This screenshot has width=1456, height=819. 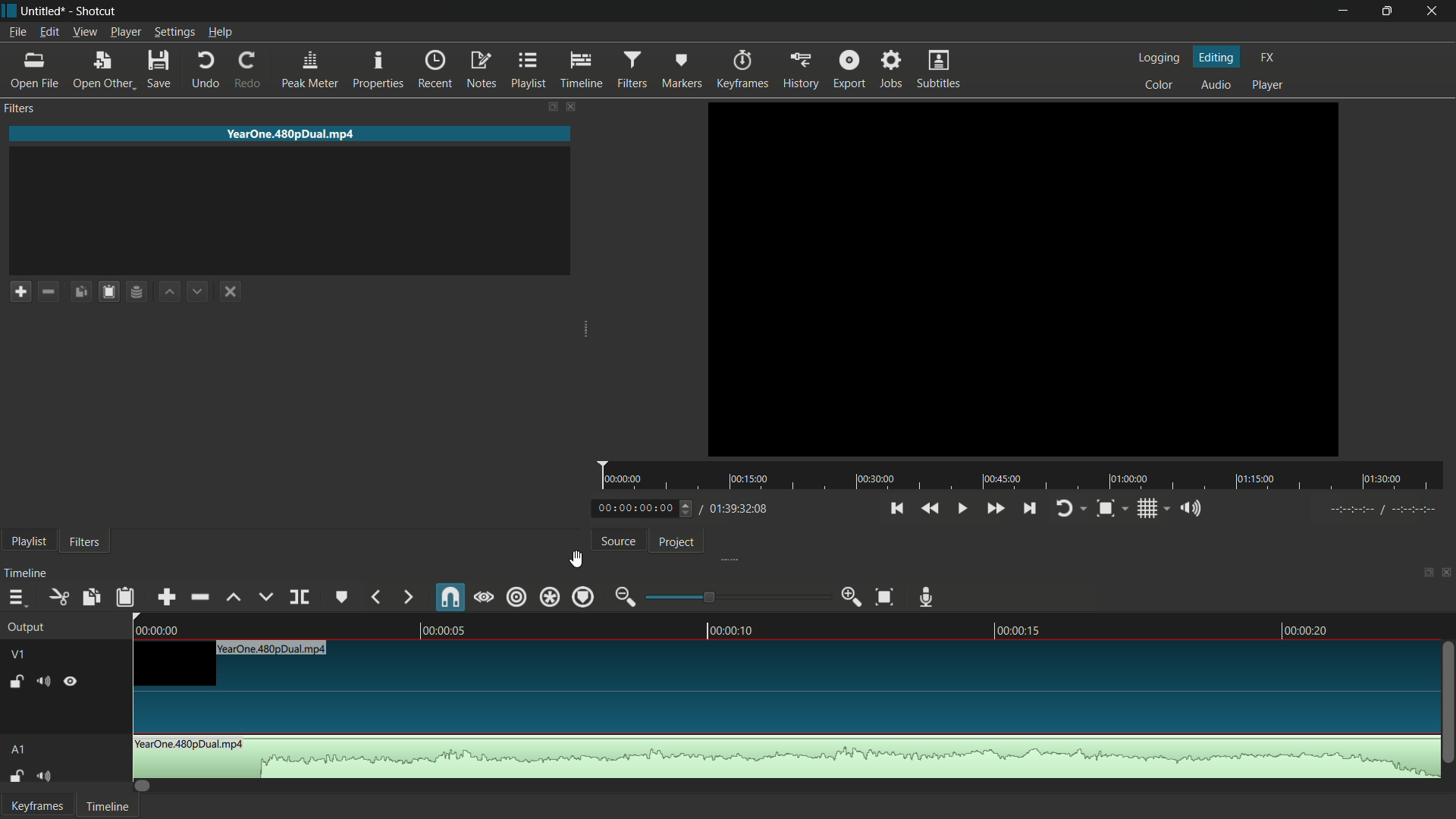 What do you see at coordinates (893, 69) in the screenshot?
I see `jobs` at bounding box center [893, 69].